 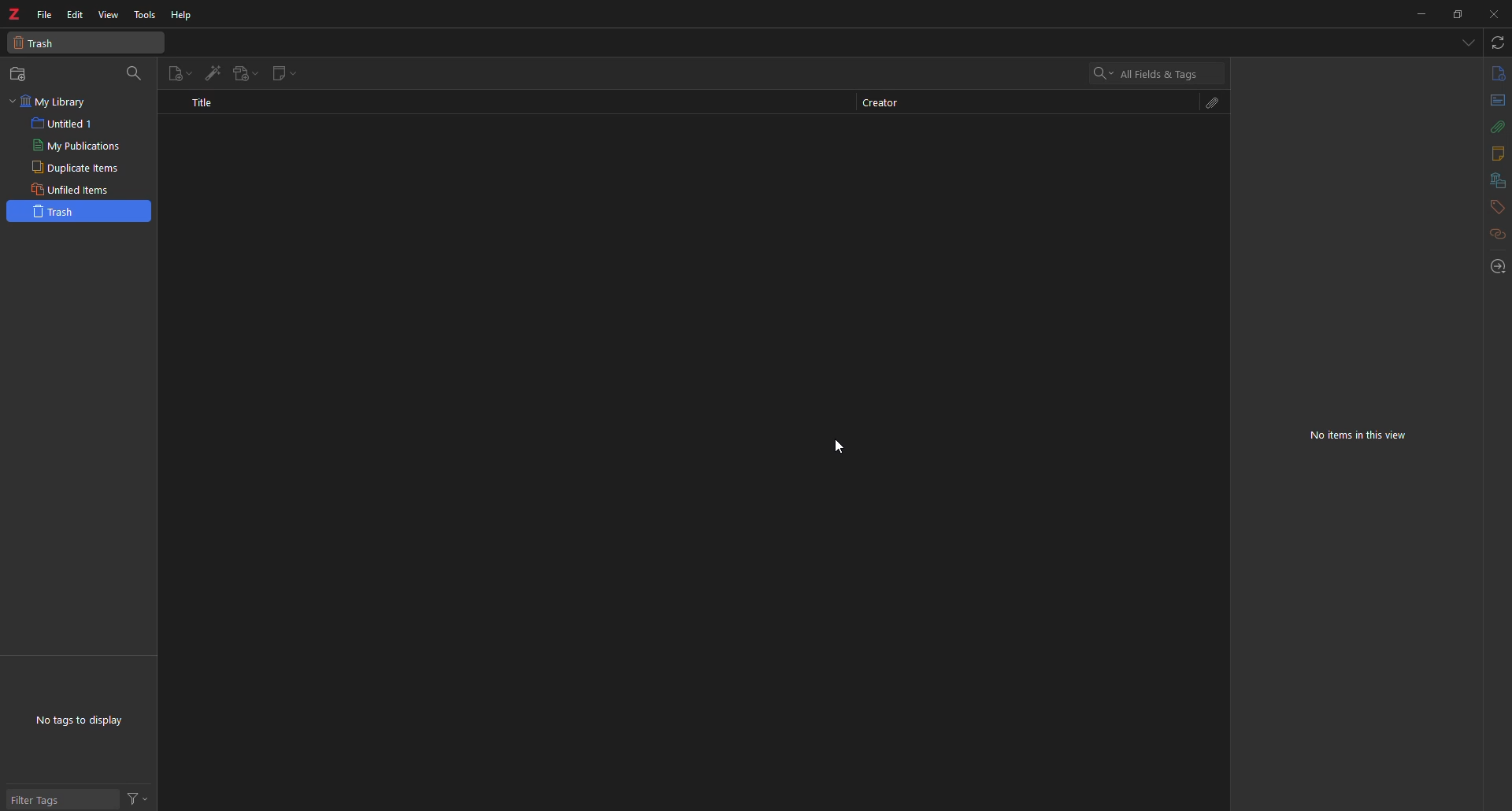 What do you see at coordinates (1496, 263) in the screenshot?
I see `locate` at bounding box center [1496, 263].